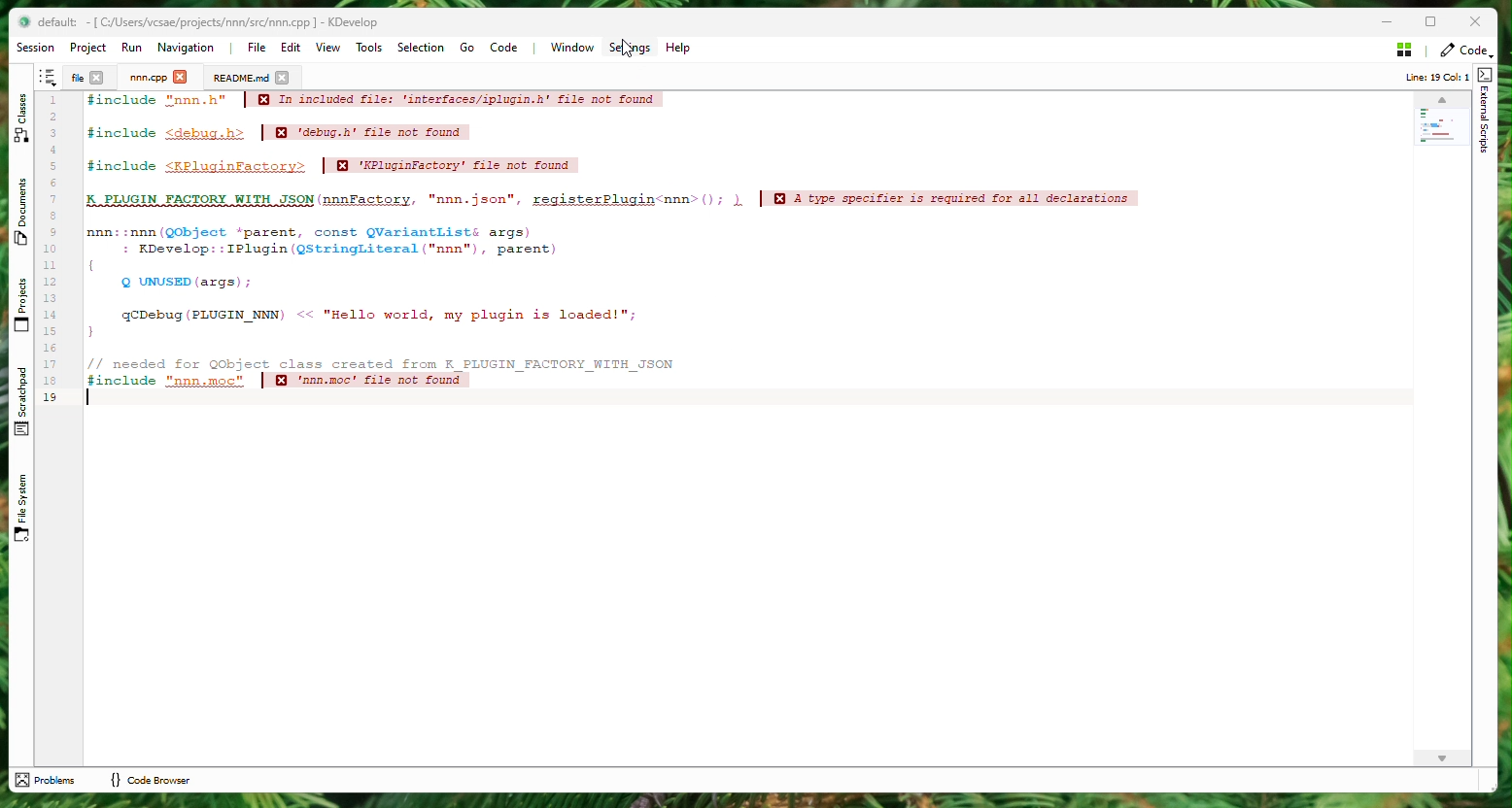 The width and height of the screenshot is (1512, 808). Describe the element at coordinates (1399, 50) in the screenshot. I see `Stash` at that location.